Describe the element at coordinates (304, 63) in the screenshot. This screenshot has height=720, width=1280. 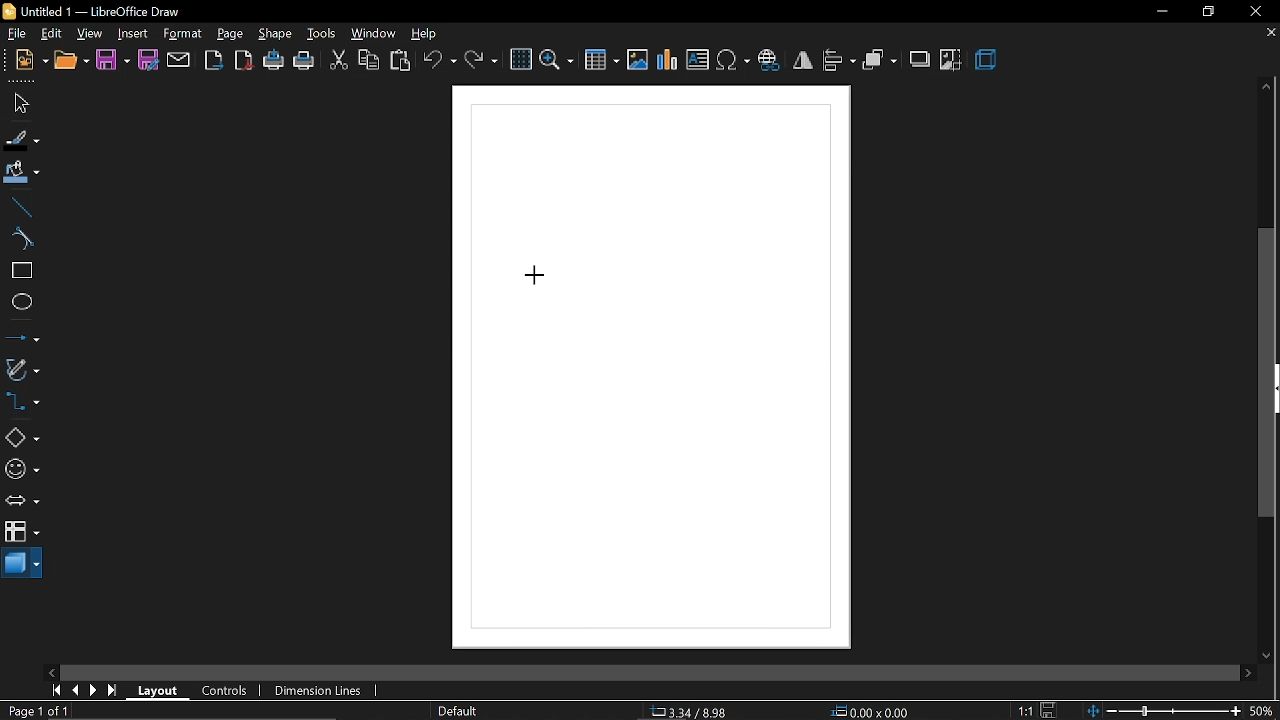
I see `print` at that location.